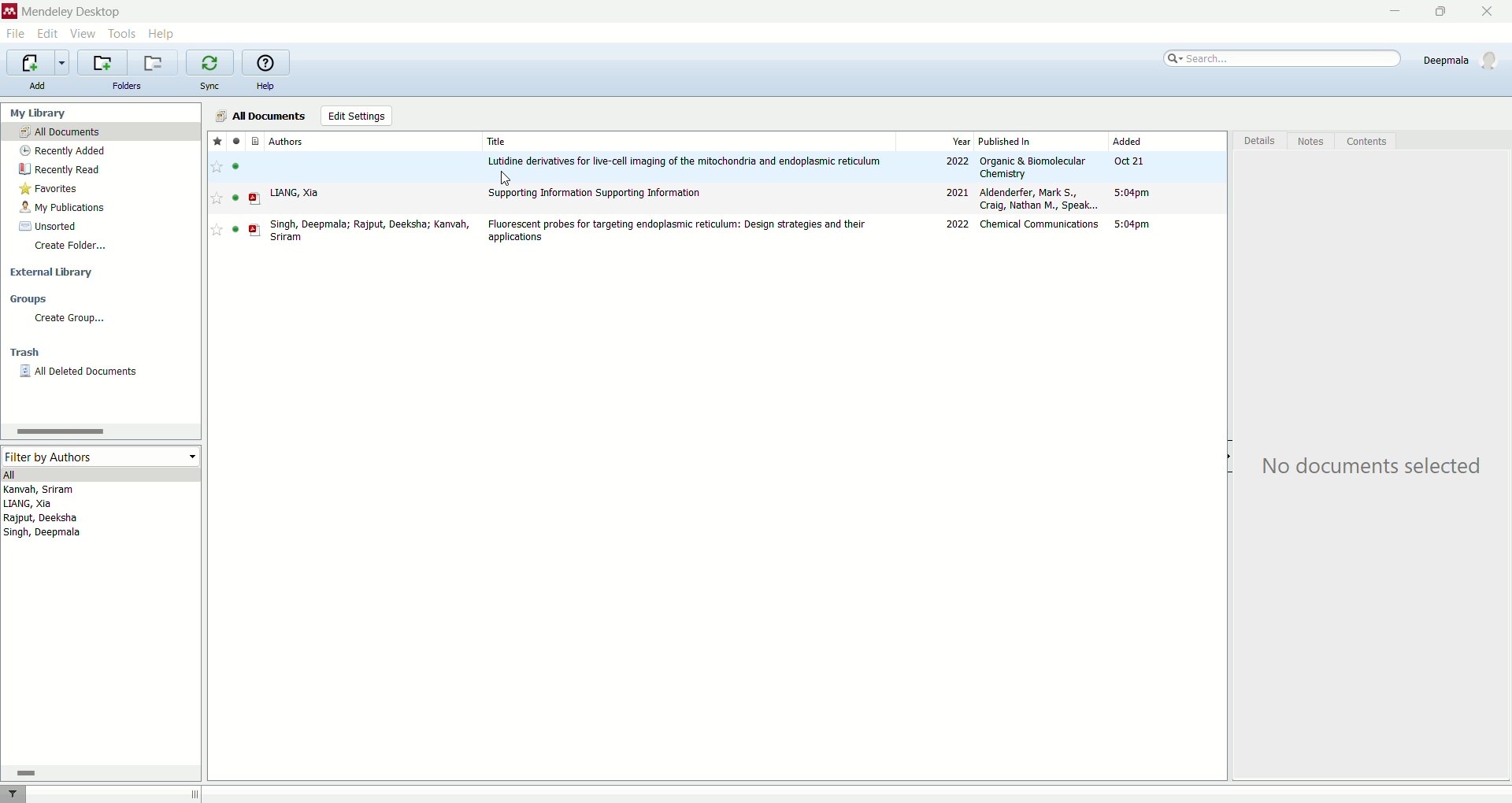 The width and height of the screenshot is (1512, 803). I want to click on LIANG, Xia, so click(295, 193).